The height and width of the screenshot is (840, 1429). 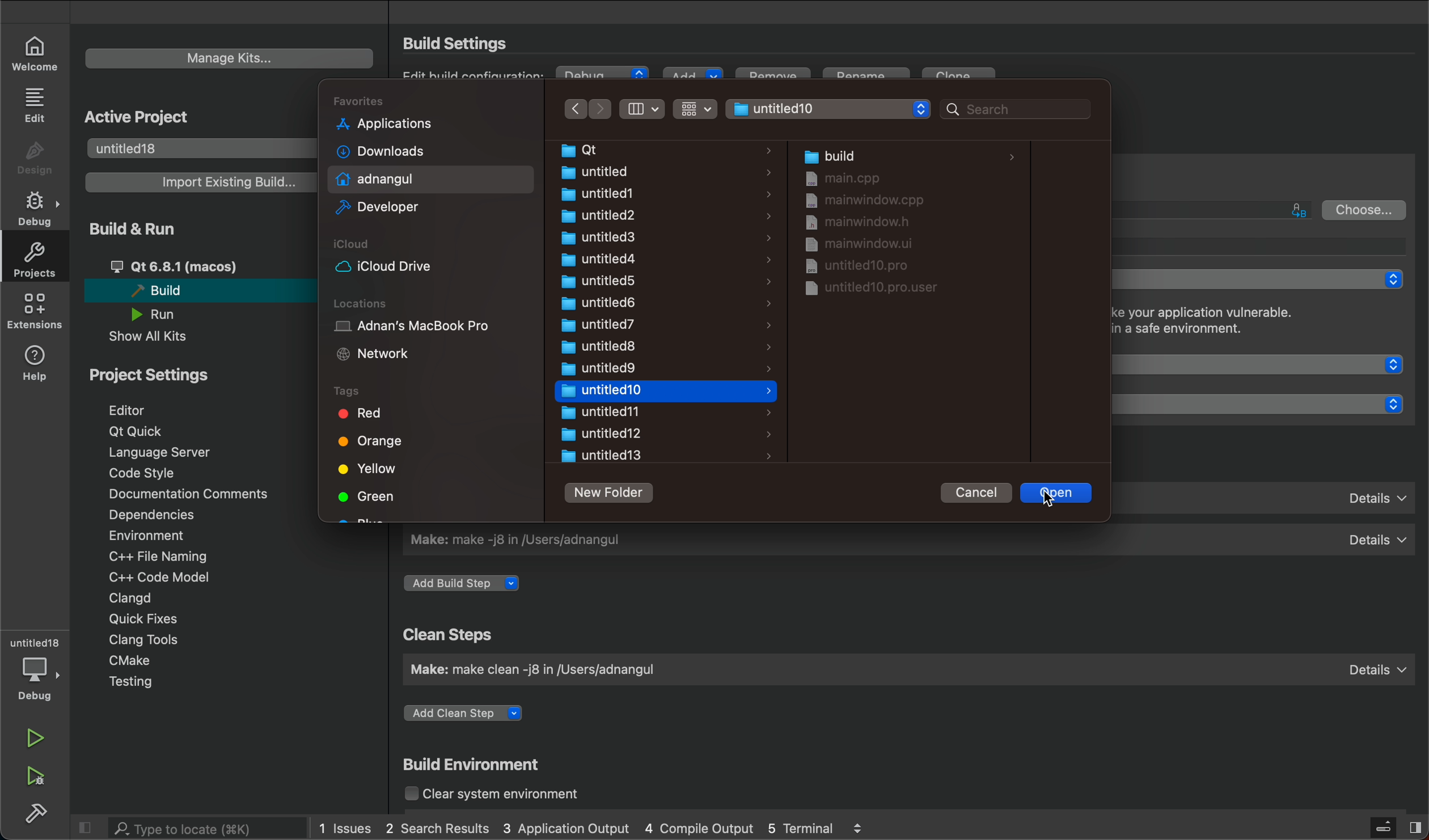 I want to click on environment, so click(x=150, y=537).